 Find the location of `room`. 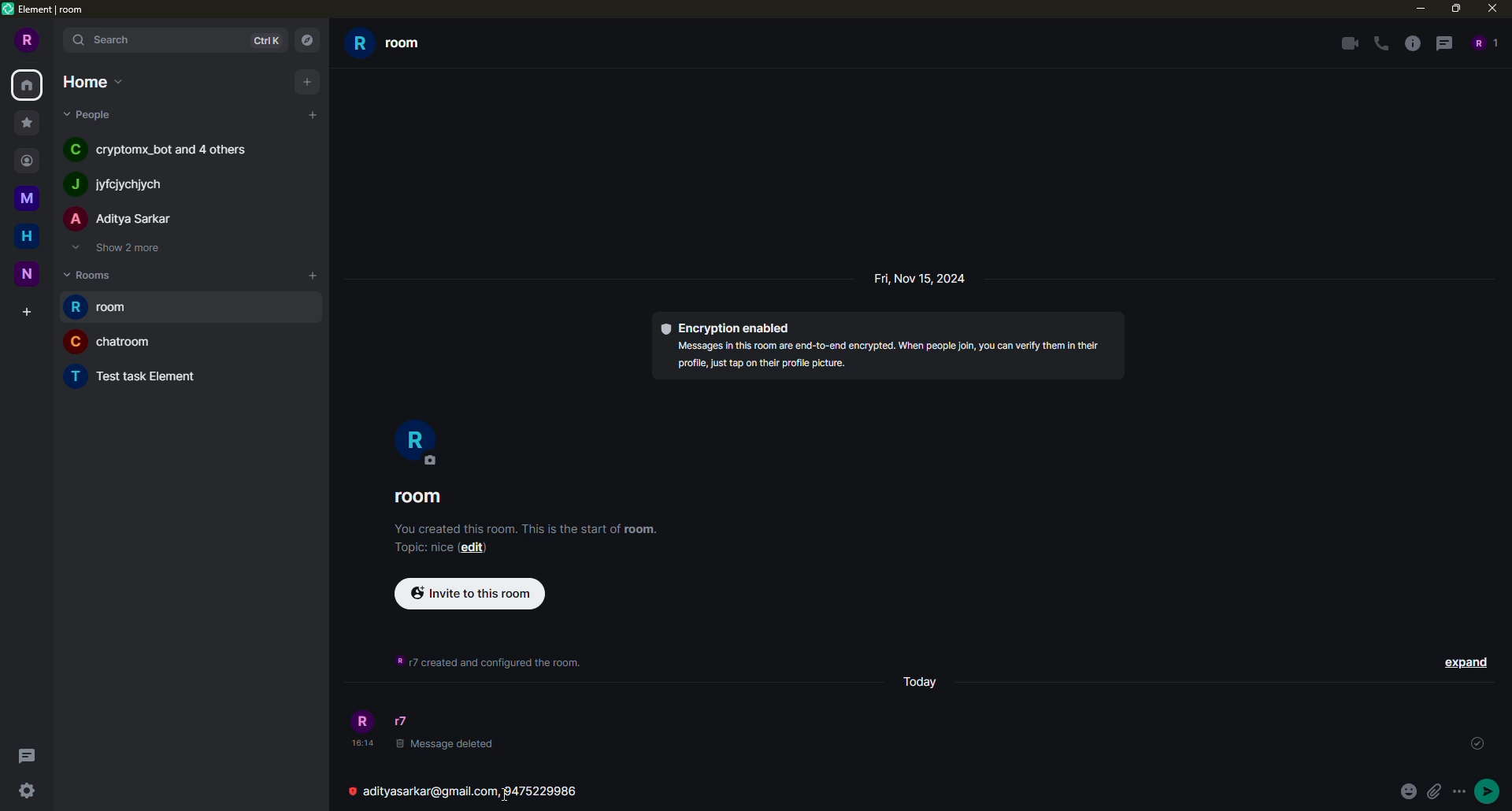

room is located at coordinates (98, 307).